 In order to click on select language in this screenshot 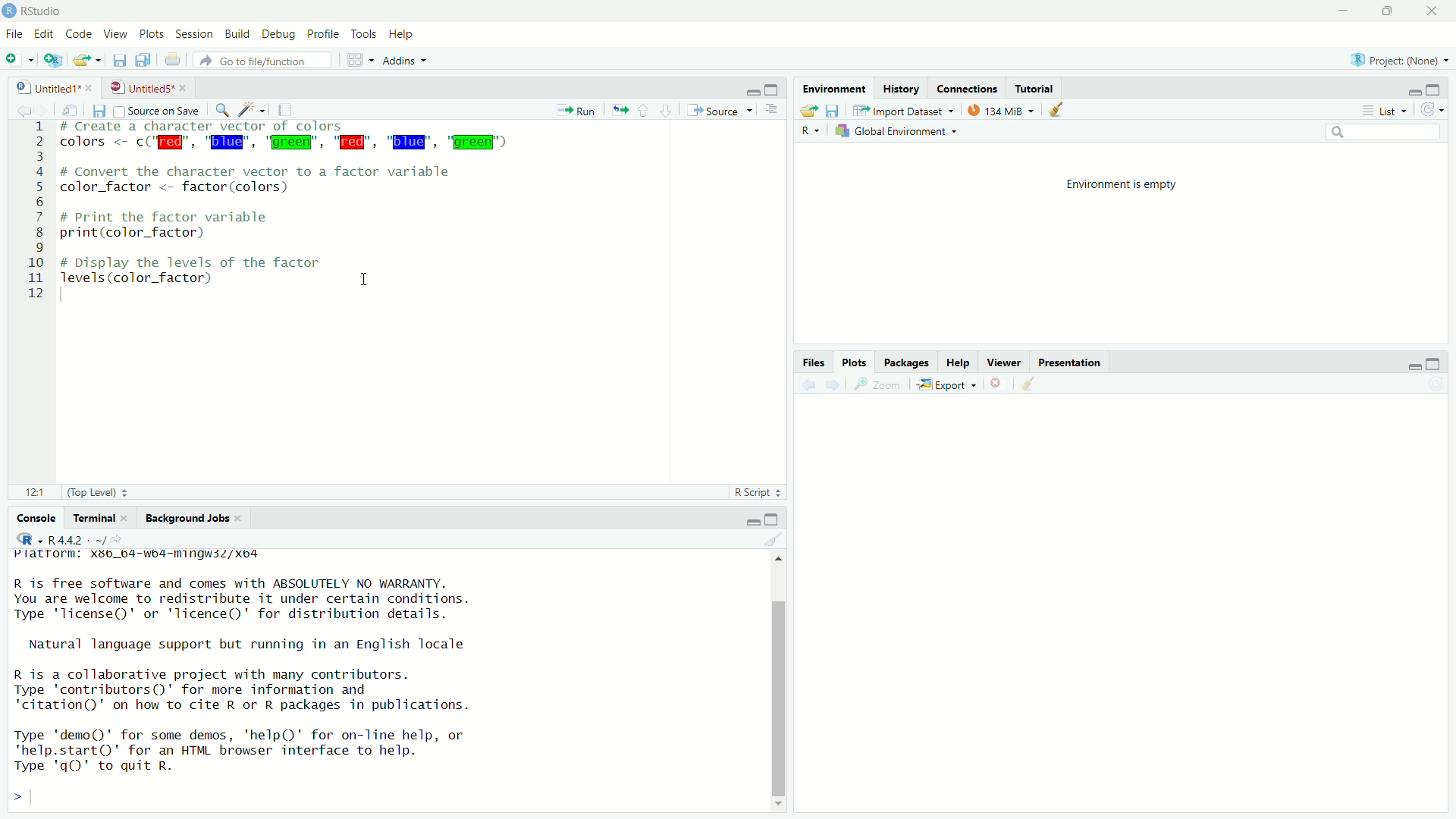, I will do `click(810, 132)`.